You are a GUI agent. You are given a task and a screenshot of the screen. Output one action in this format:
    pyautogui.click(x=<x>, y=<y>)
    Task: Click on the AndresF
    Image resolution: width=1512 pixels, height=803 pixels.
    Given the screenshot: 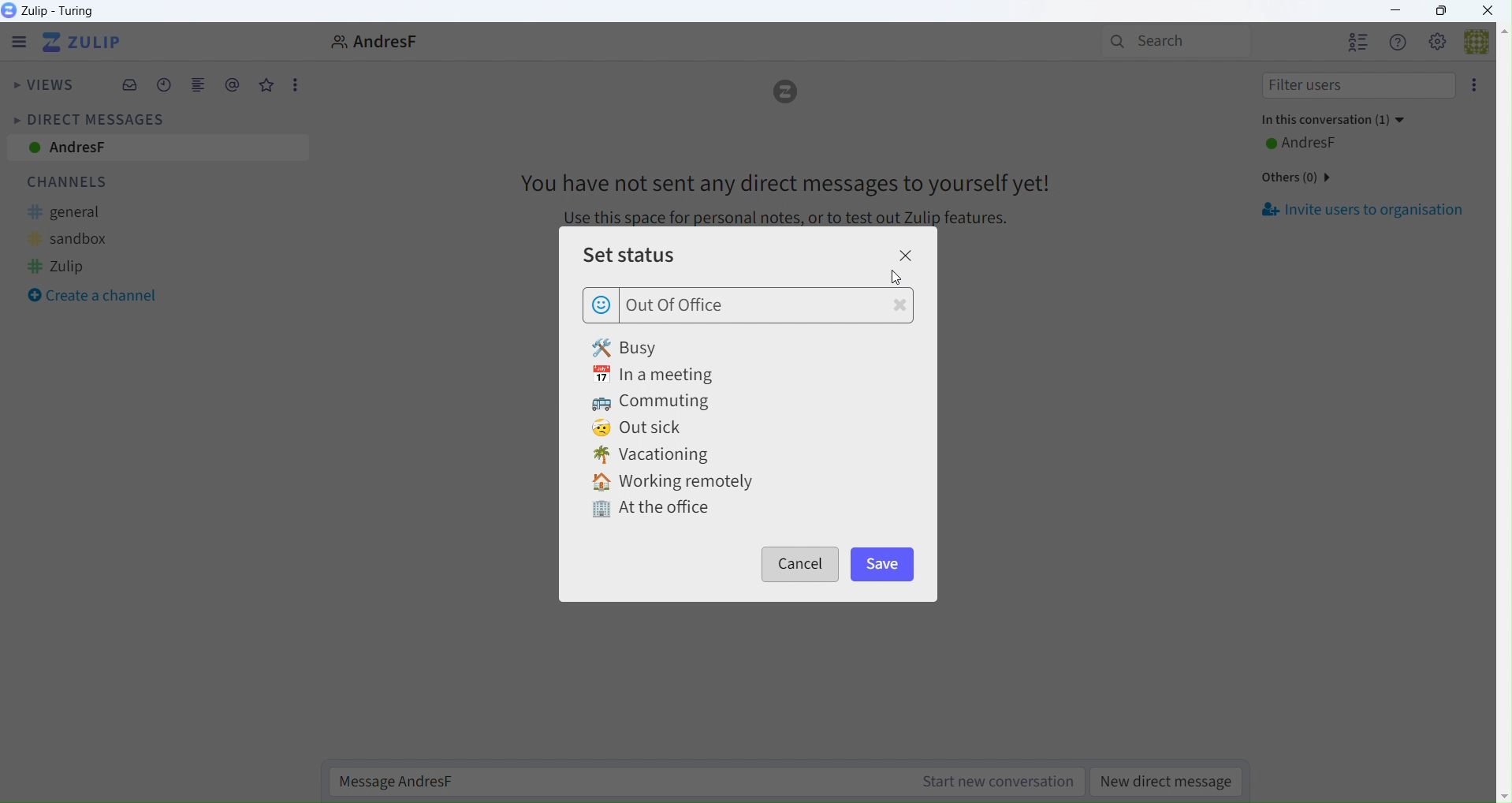 What is the action you would take?
    pyautogui.click(x=1320, y=142)
    